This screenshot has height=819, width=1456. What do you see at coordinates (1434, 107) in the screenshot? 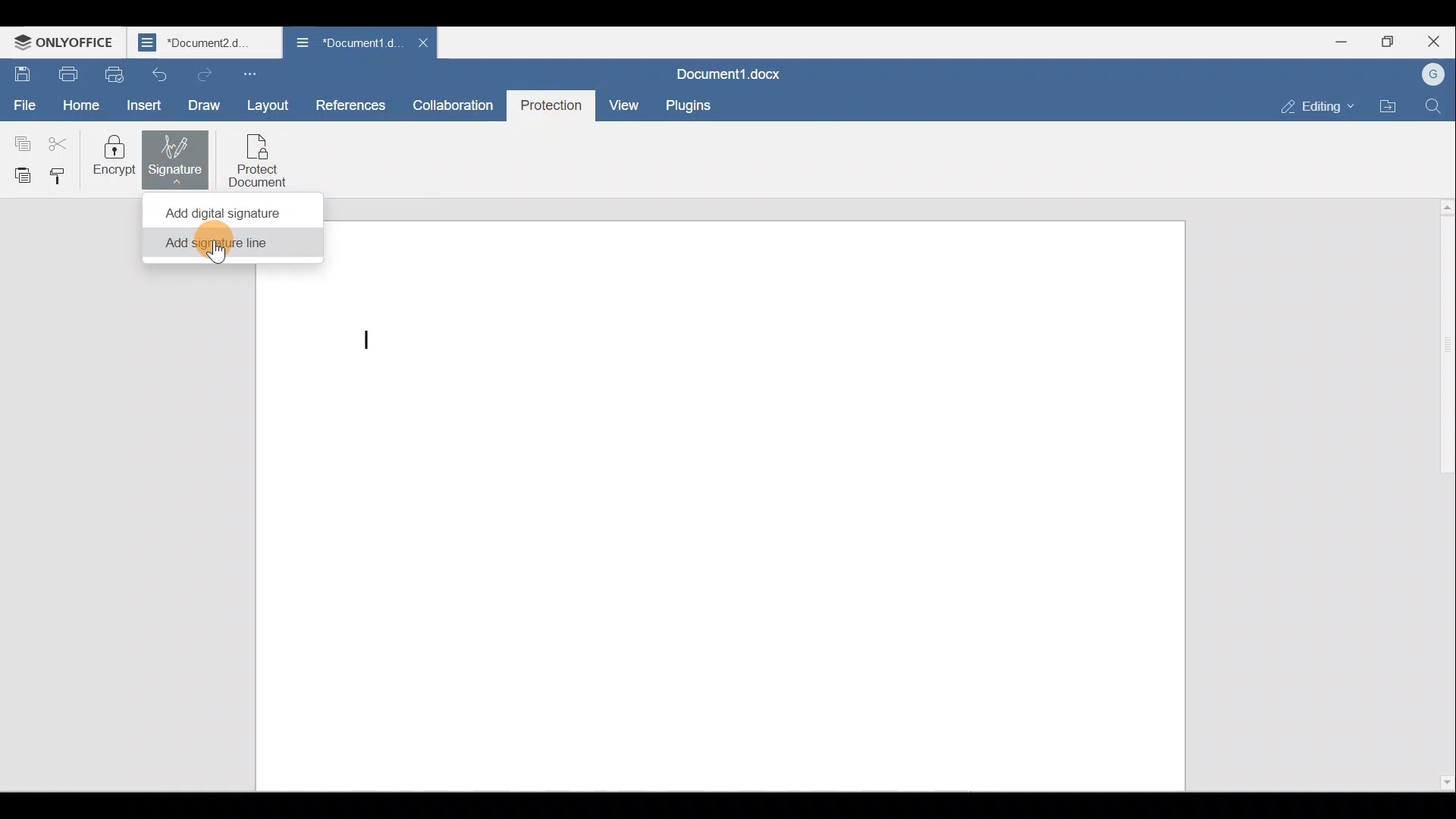
I see `Find` at bounding box center [1434, 107].